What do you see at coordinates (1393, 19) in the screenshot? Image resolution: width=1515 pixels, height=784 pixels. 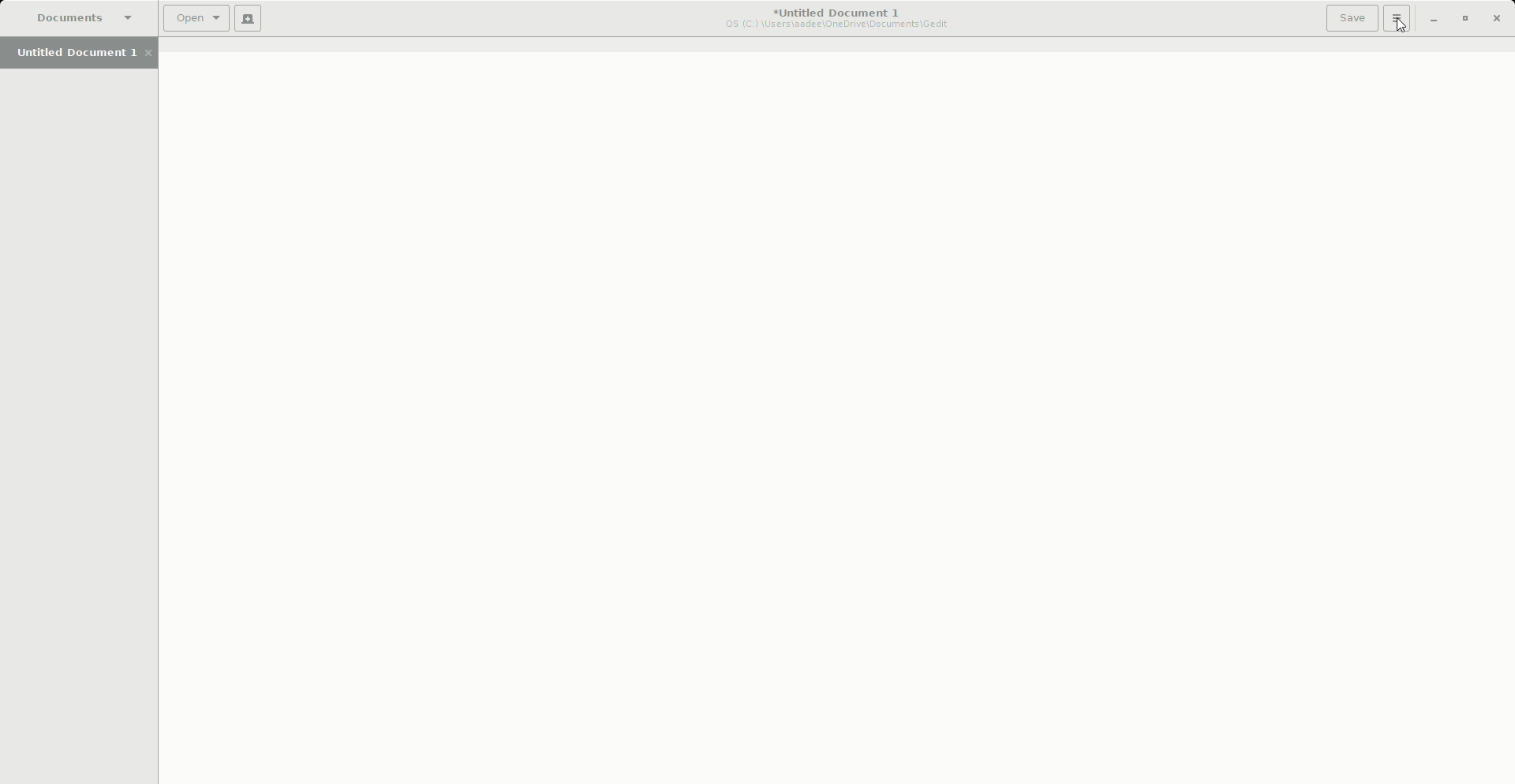 I see `Options` at bounding box center [1393, 19].